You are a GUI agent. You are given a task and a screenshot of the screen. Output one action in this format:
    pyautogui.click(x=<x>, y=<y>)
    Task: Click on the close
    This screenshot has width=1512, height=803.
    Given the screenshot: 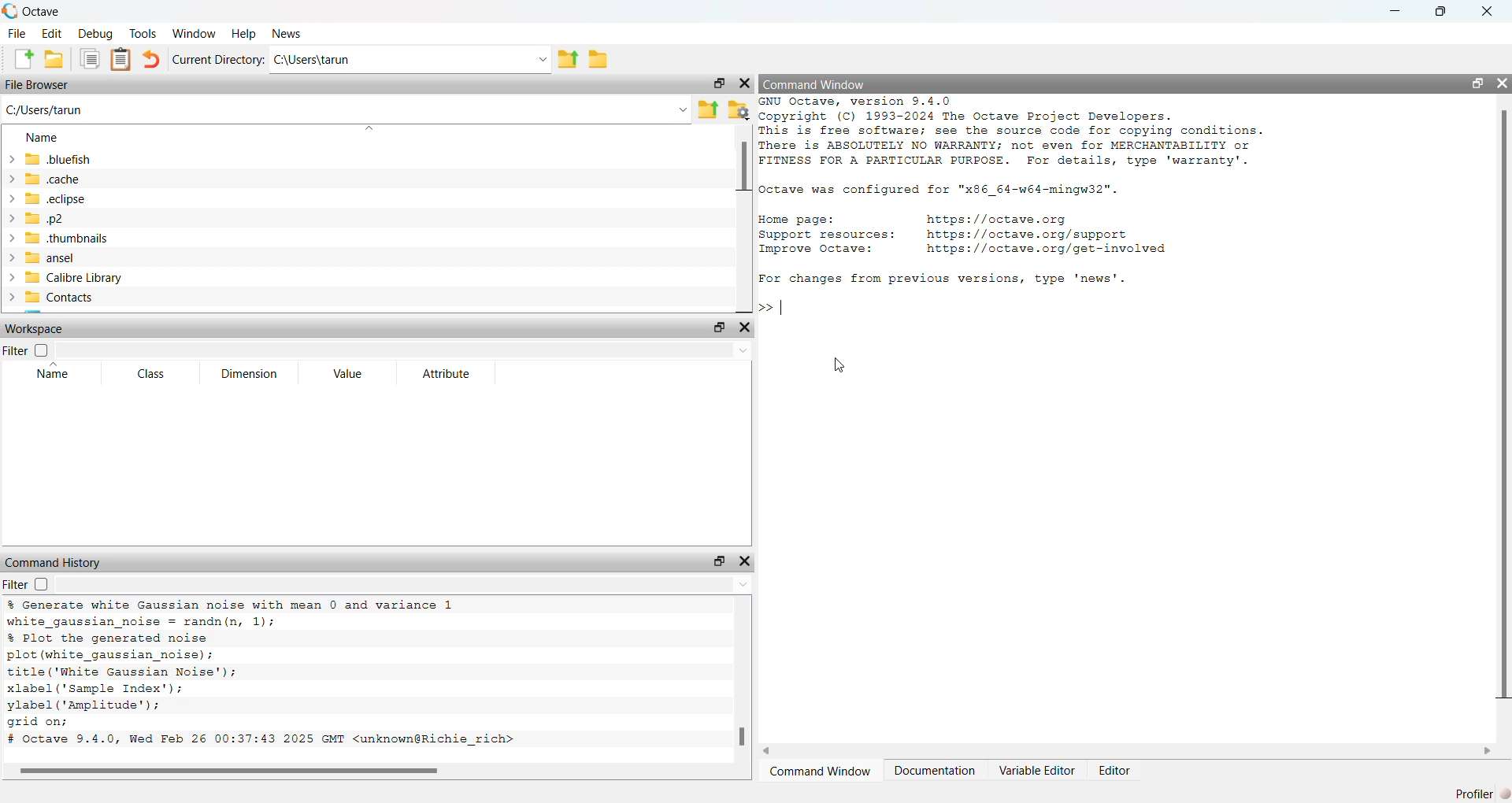 What is the action you would take?
    pyautogui.click(x=744, y=328)
    